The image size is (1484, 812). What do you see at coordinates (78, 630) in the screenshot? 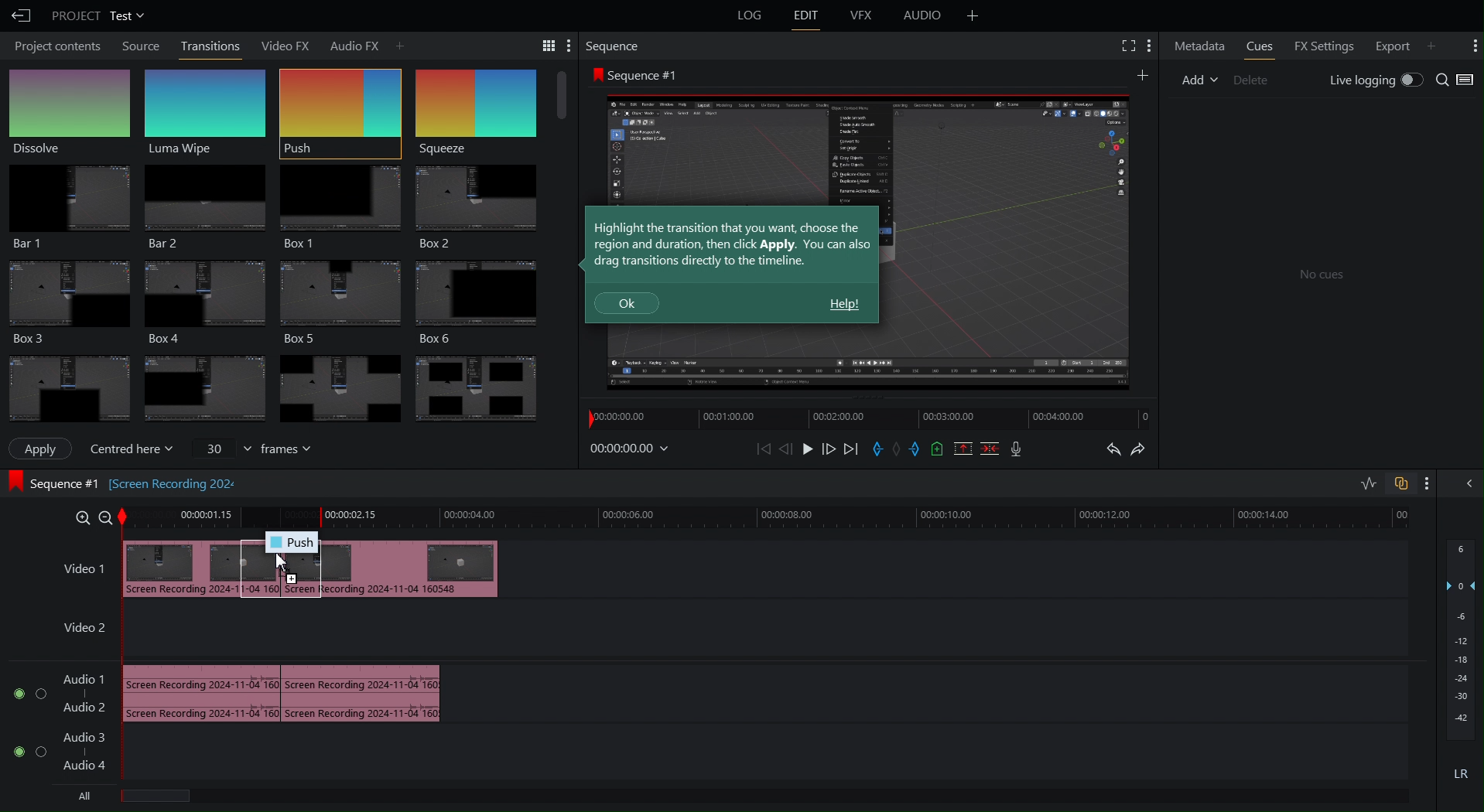
I see `Video 2` at bounding box center [78, 630].